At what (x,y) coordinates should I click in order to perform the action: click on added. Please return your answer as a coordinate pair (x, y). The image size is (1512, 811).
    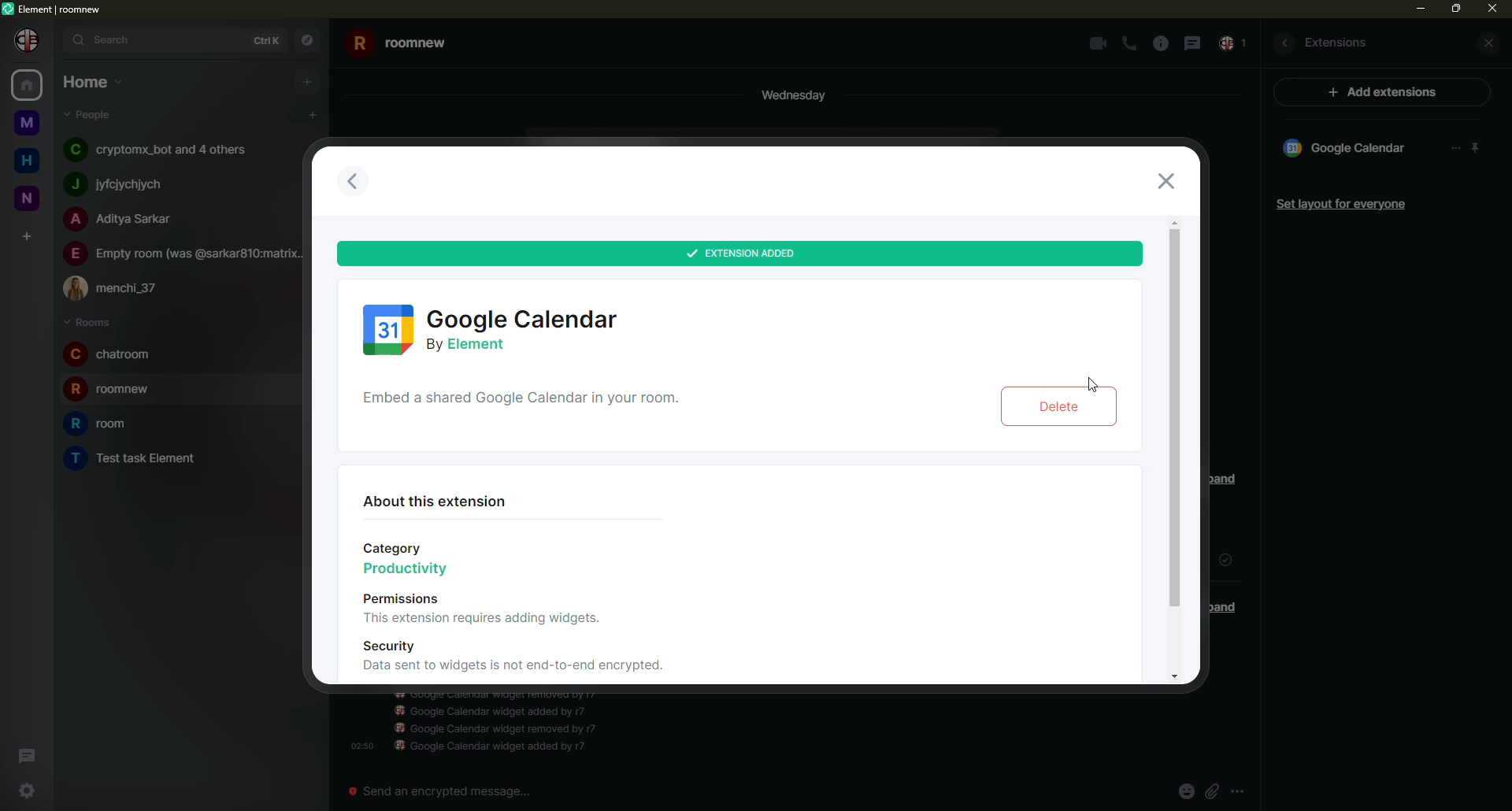
    Looking at the image, I should click on (743, 253).